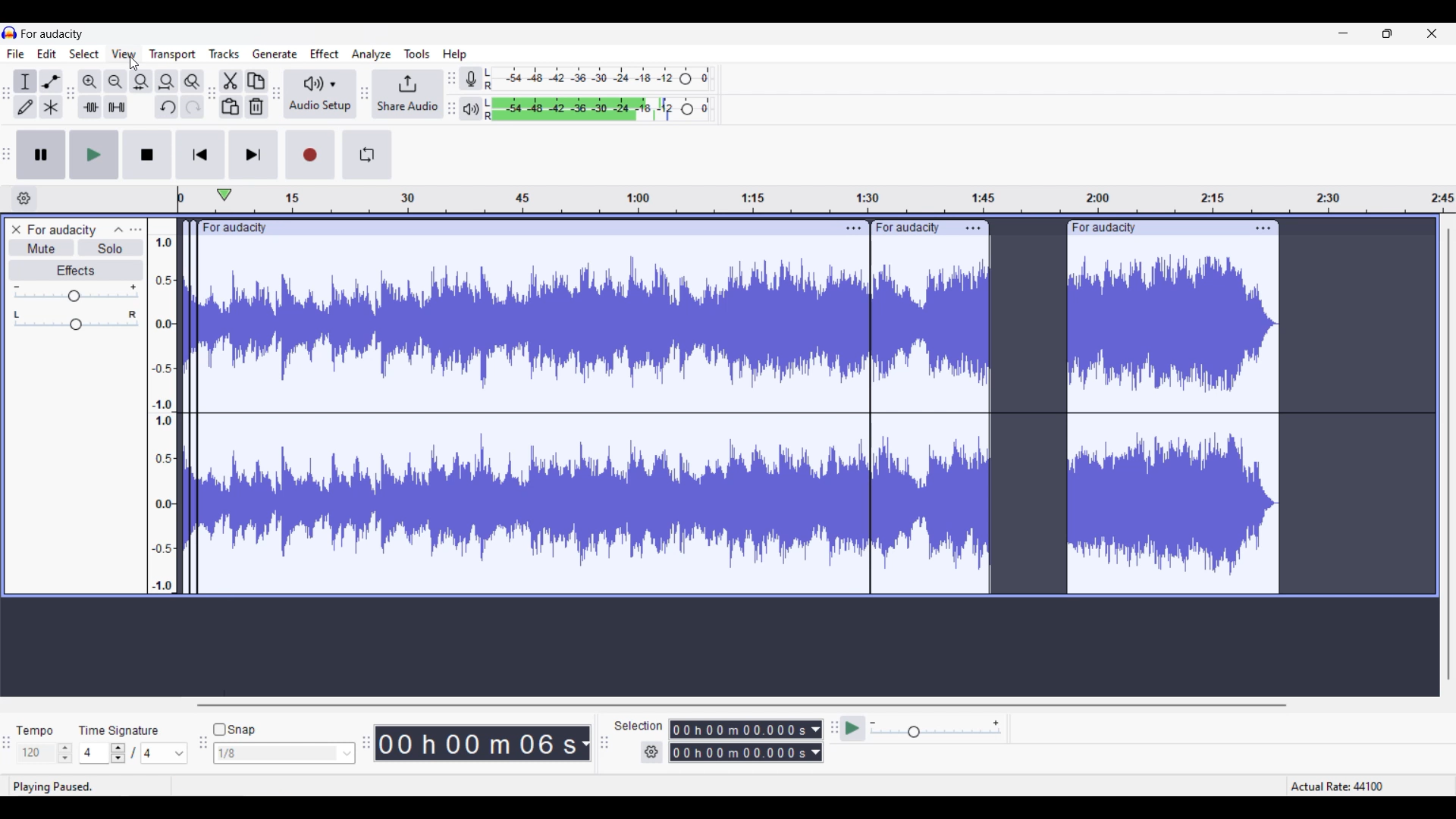 The image size is (1456, 819). What do you see at coordinates (652, 752) in the screenshot?
I see `Selection settings` at bounding box center [652, 752].